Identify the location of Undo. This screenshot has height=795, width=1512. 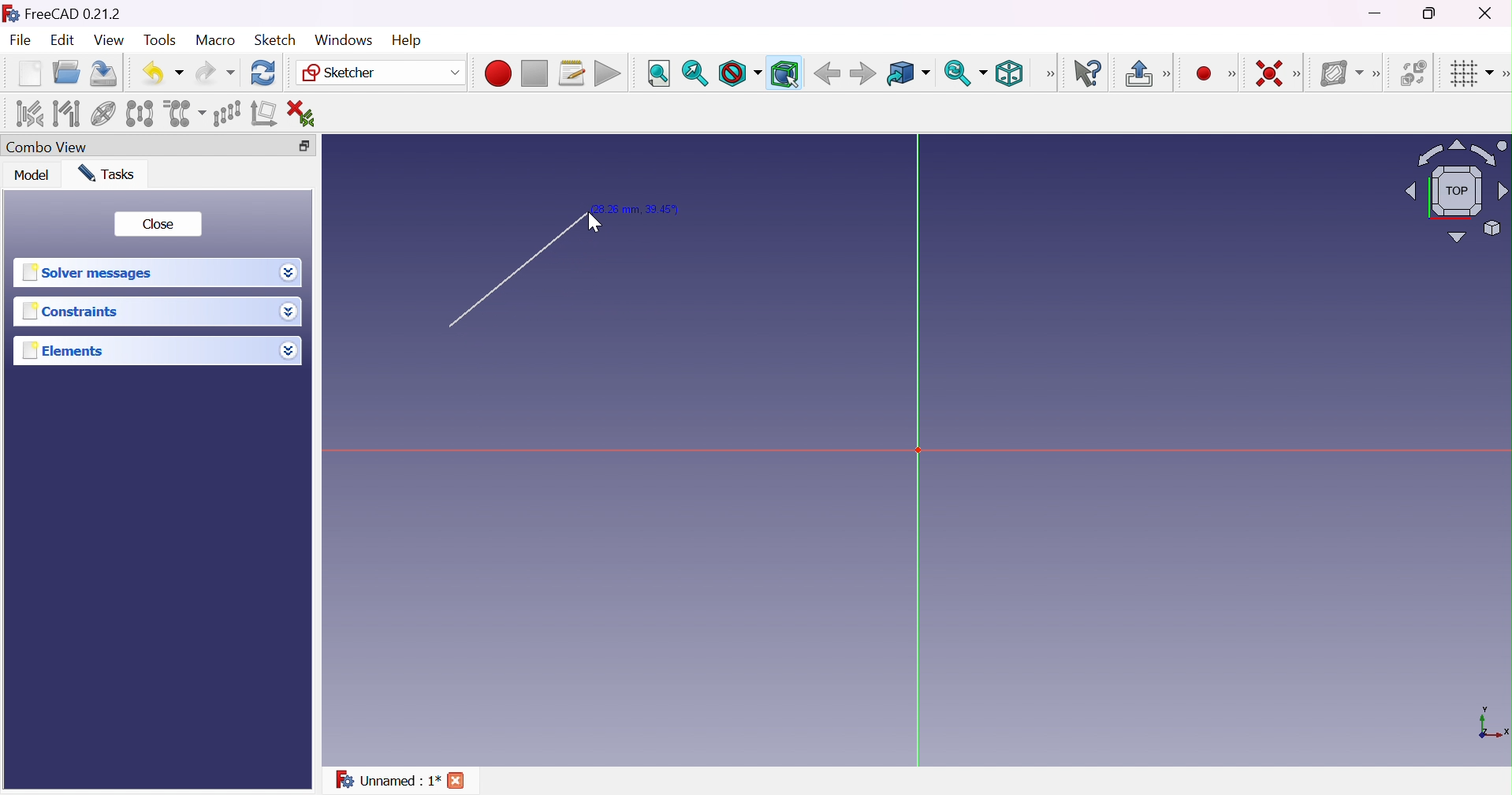
(162, 72).